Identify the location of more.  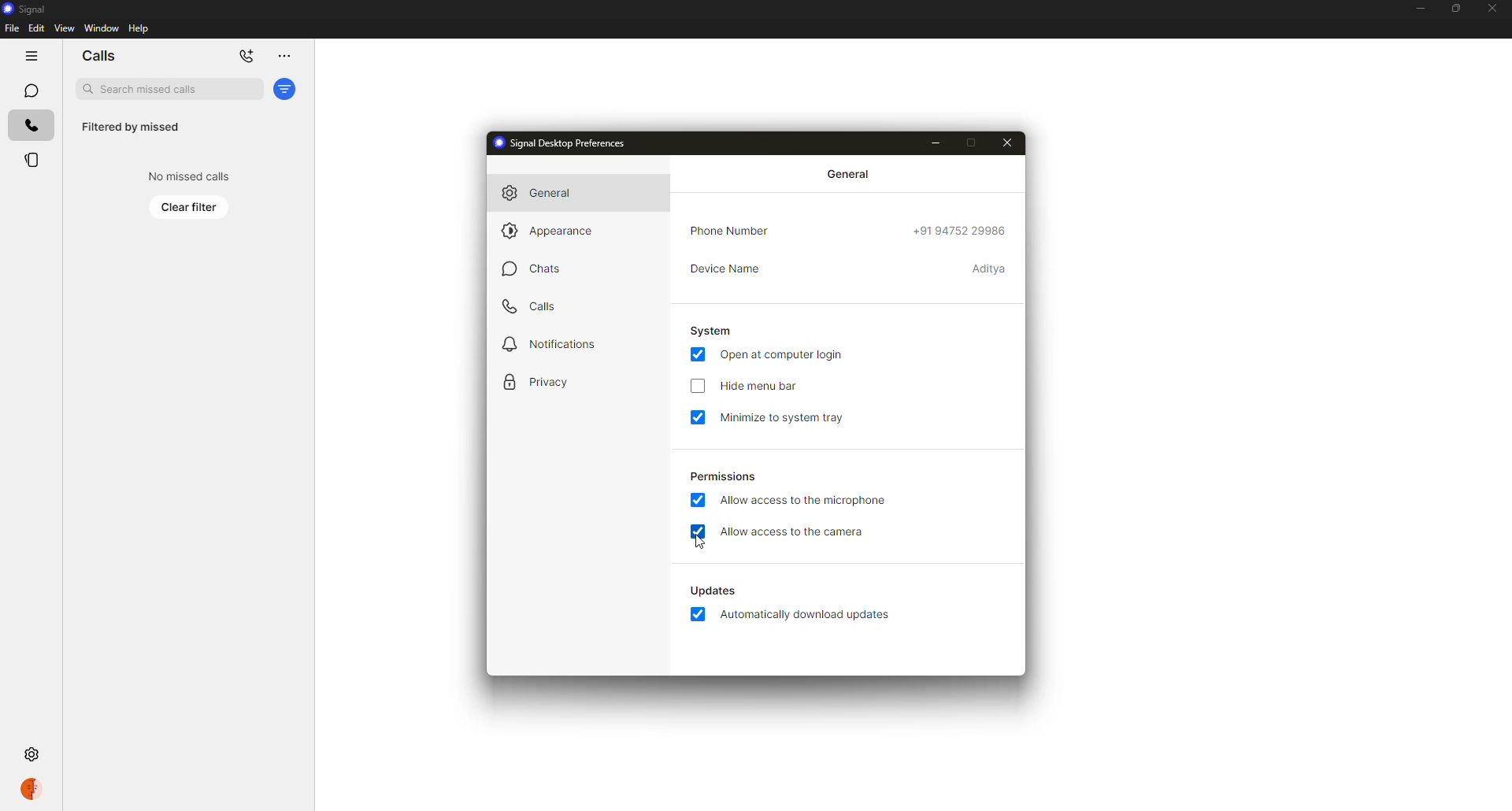
(282, 57).